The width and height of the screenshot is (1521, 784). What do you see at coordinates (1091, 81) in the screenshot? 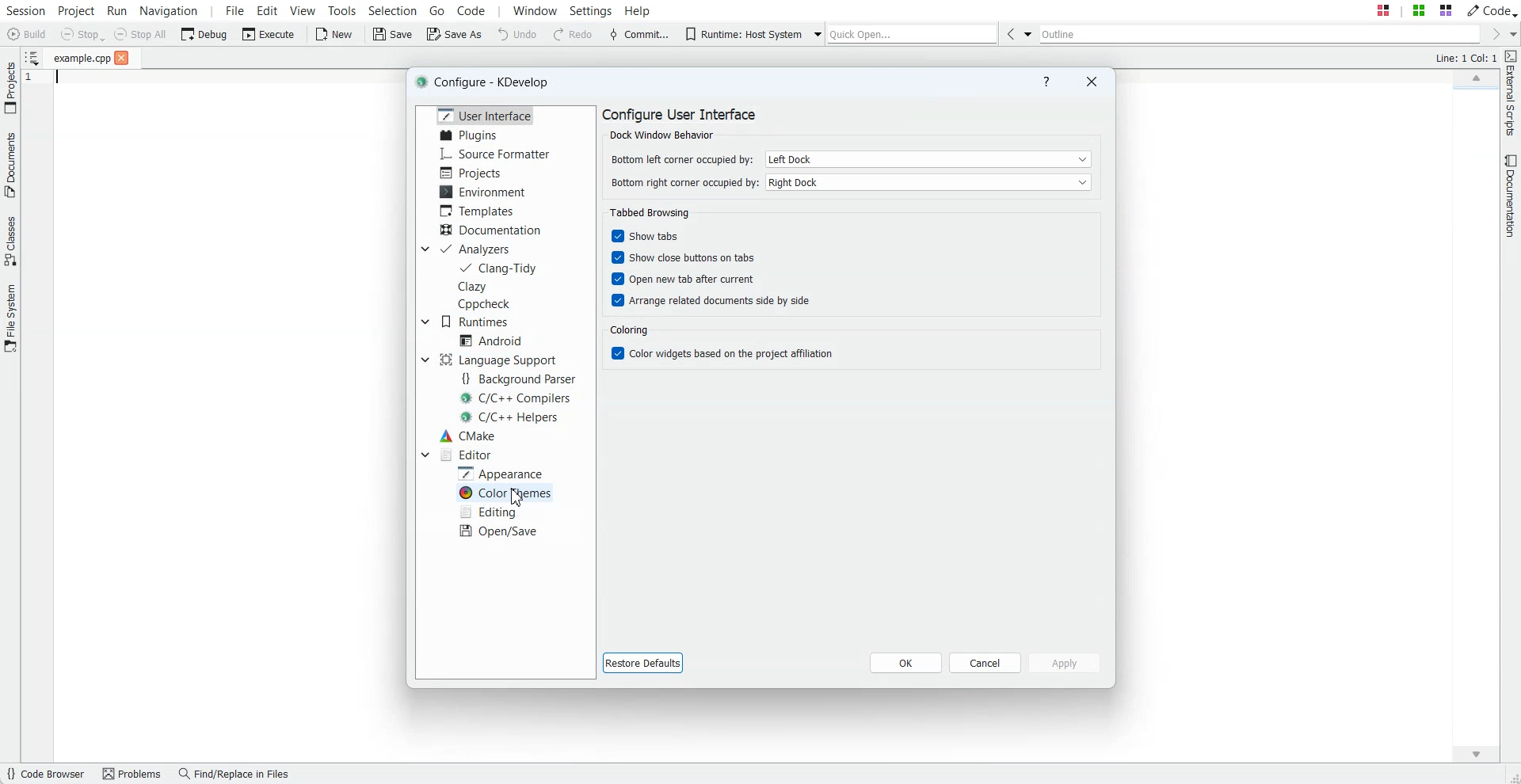
I see `Close` at bounding box center [1091, 81].